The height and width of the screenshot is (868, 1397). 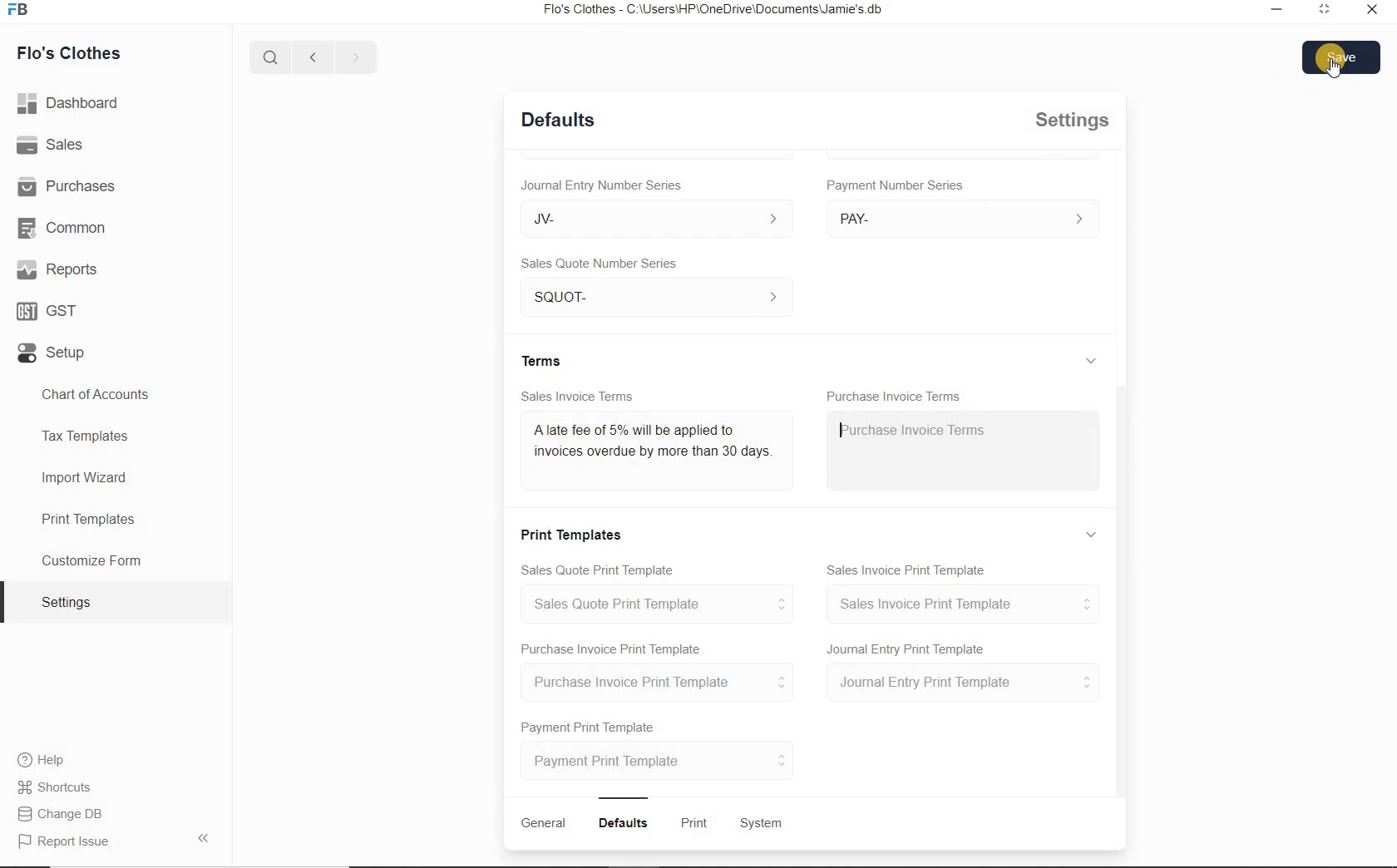 What do you see at coordinates (54, 147) in the screenshot?
I see `Sales` at bounding box center [54, 147].